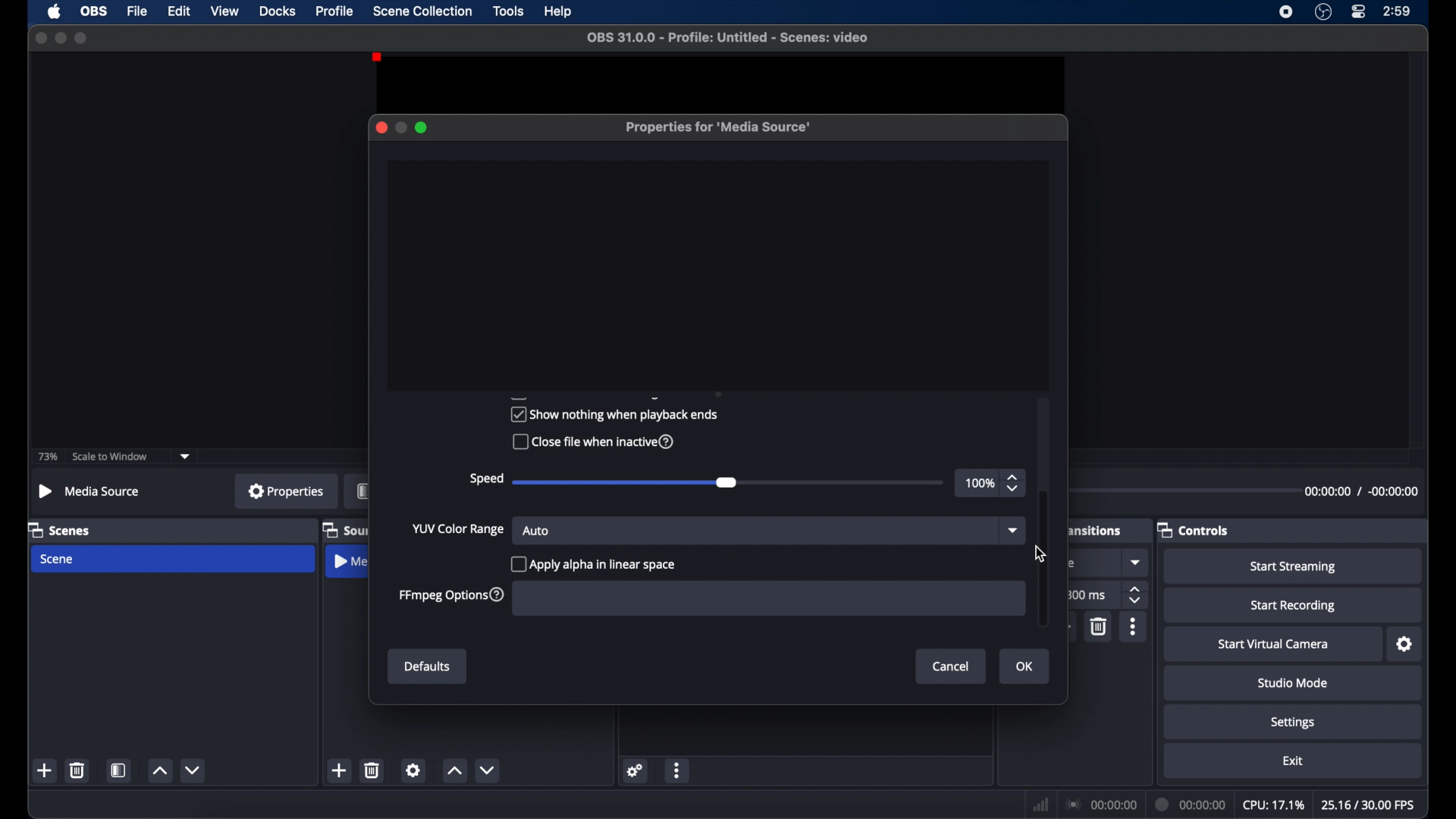 Image resolution: width=1456 pixels, height=819 pixels. I want to click on docks, so click(278, 12).